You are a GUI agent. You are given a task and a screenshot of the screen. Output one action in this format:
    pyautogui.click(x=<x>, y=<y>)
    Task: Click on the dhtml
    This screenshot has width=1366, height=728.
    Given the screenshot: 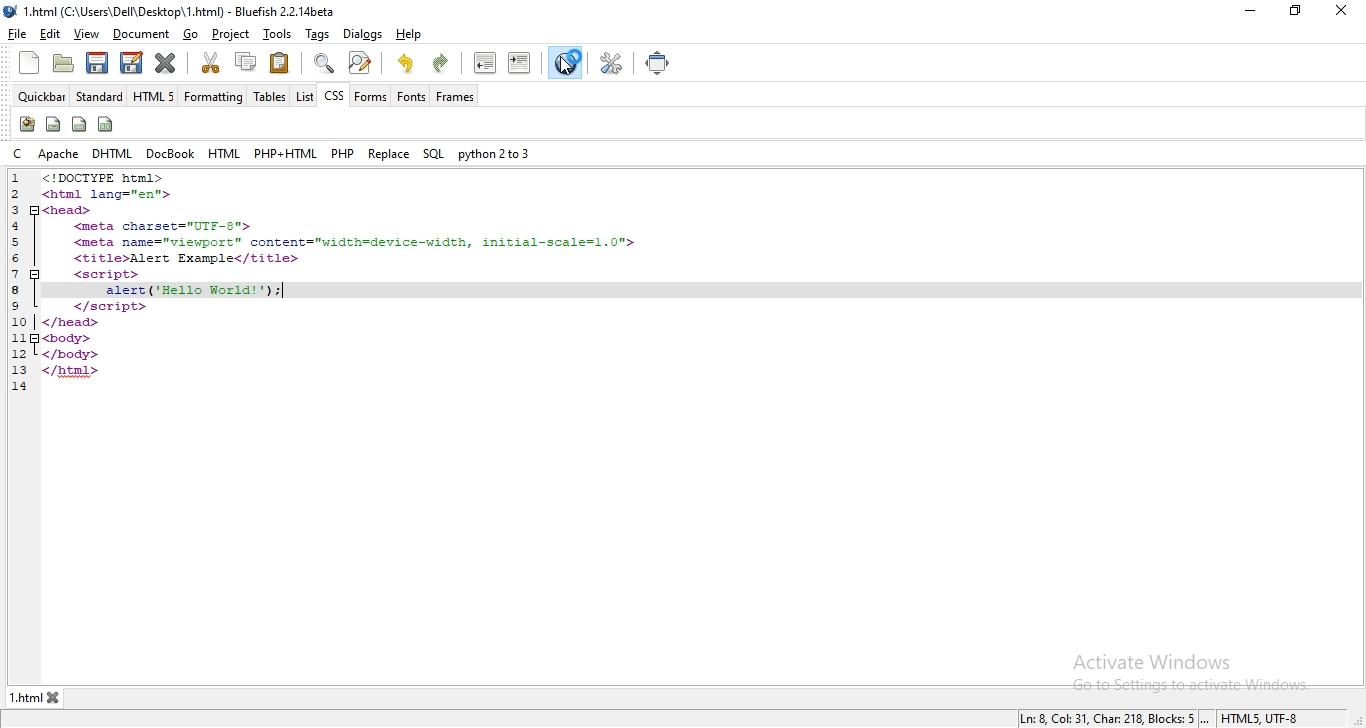 What is the action you would take?
    pyautogui.click(x=114, y=151)
    